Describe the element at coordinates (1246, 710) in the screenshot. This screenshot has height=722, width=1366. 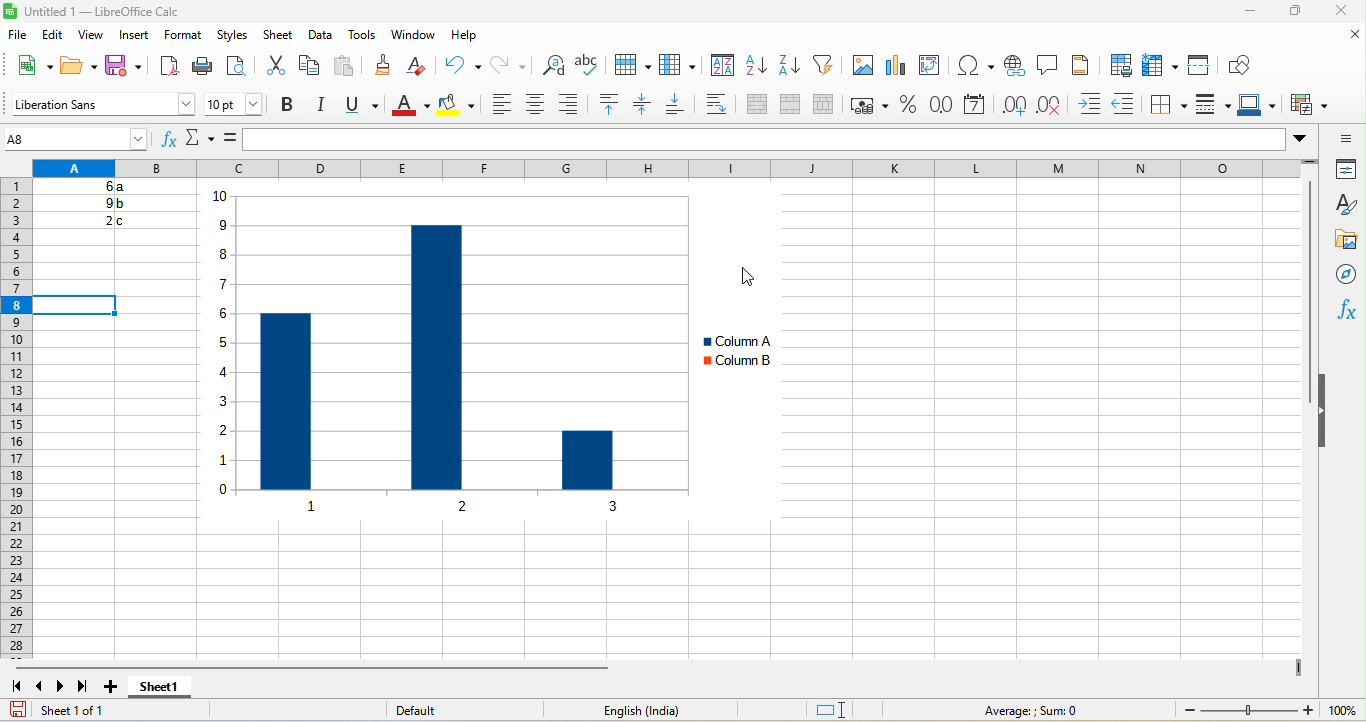
I see `zoom` at that location.